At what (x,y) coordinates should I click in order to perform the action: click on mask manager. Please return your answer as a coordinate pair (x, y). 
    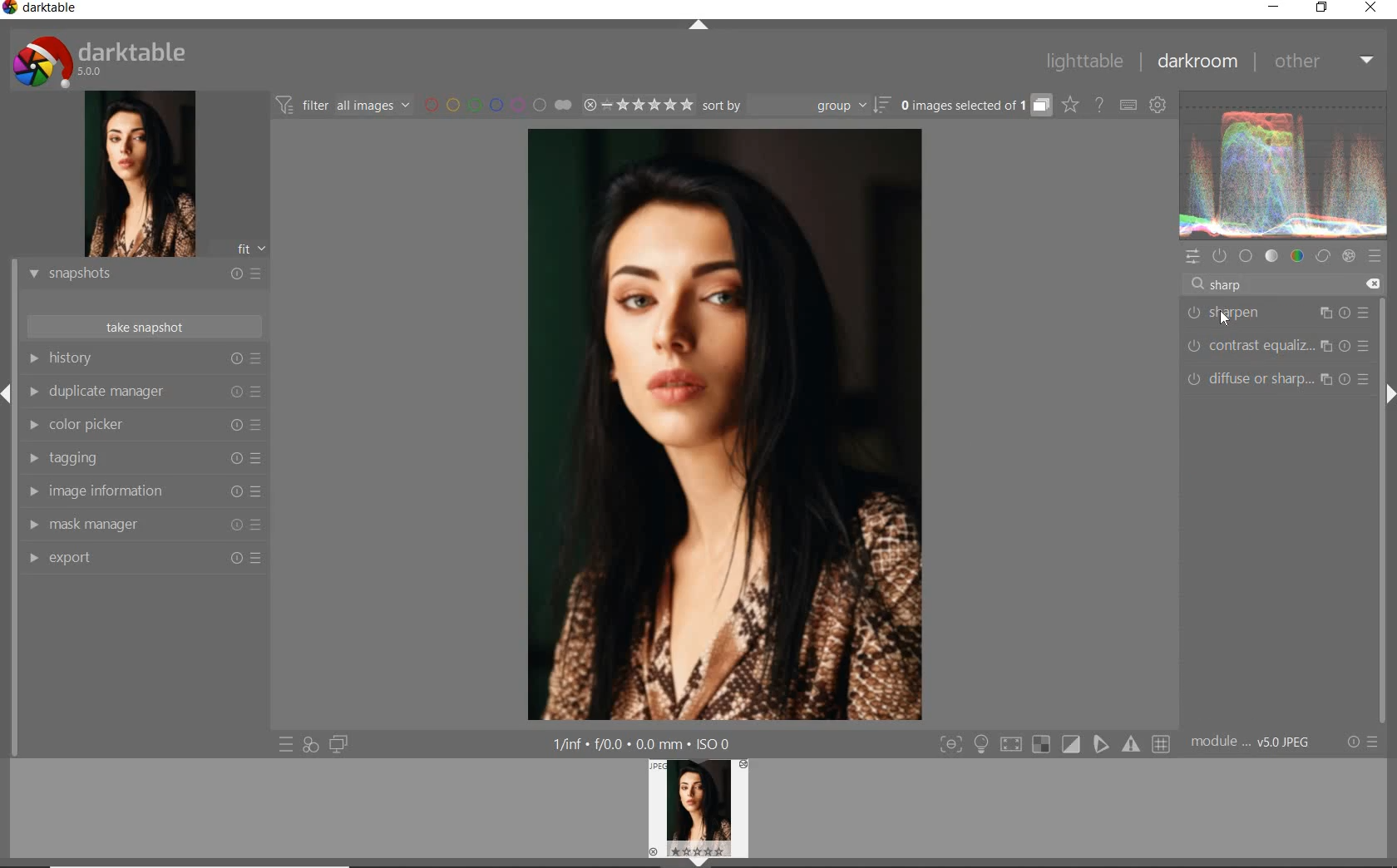
    Looking at the image, I should click on (143, 525).